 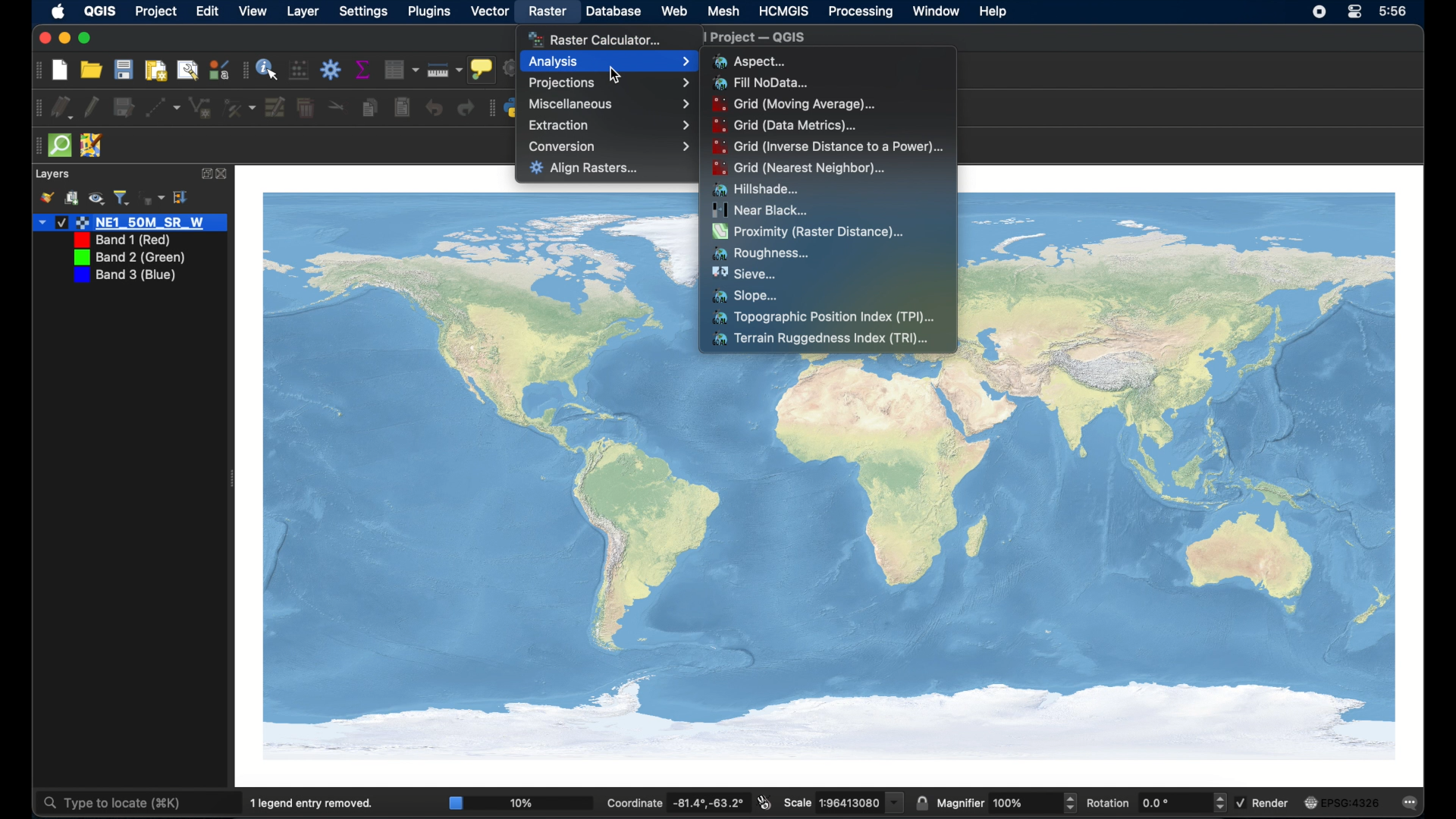 What do you see at coordinates (92, 107) in the screenshot?
I see `toggle editing` at bounding box center [92, 107].